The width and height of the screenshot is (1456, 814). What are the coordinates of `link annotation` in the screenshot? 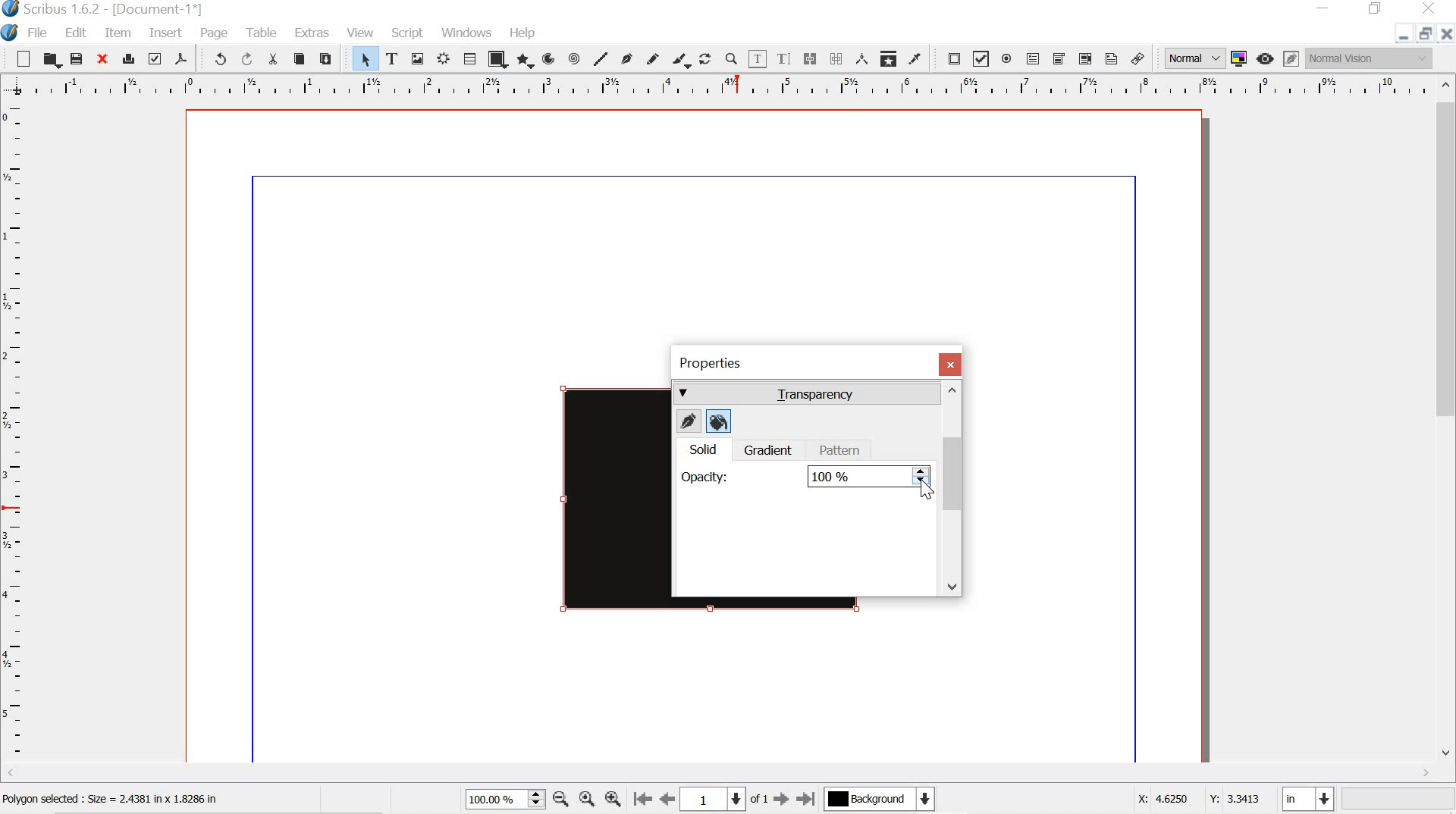 It's located at (1137, 59).